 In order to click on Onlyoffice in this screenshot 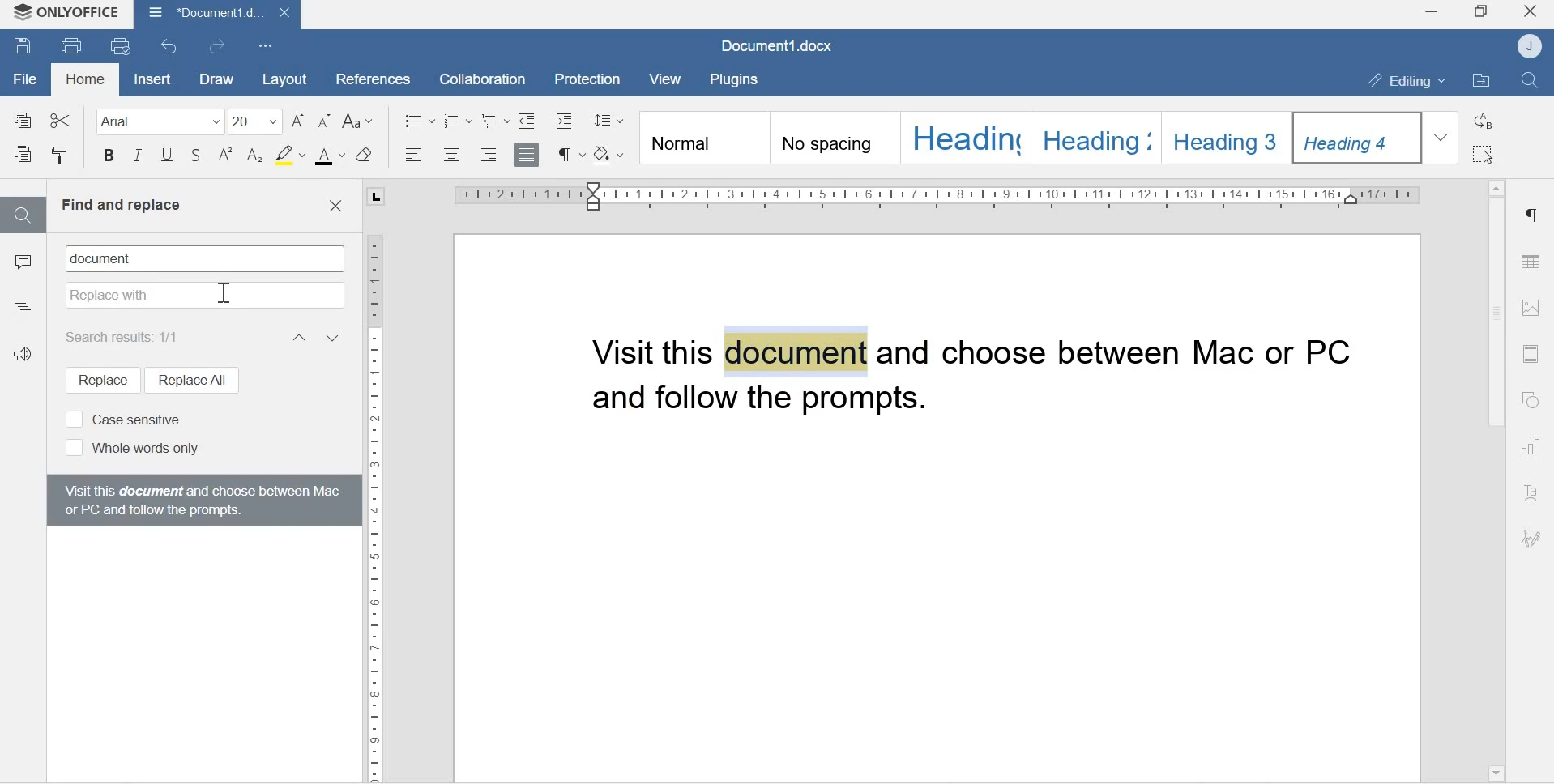, I will do `click(67, 14)`.